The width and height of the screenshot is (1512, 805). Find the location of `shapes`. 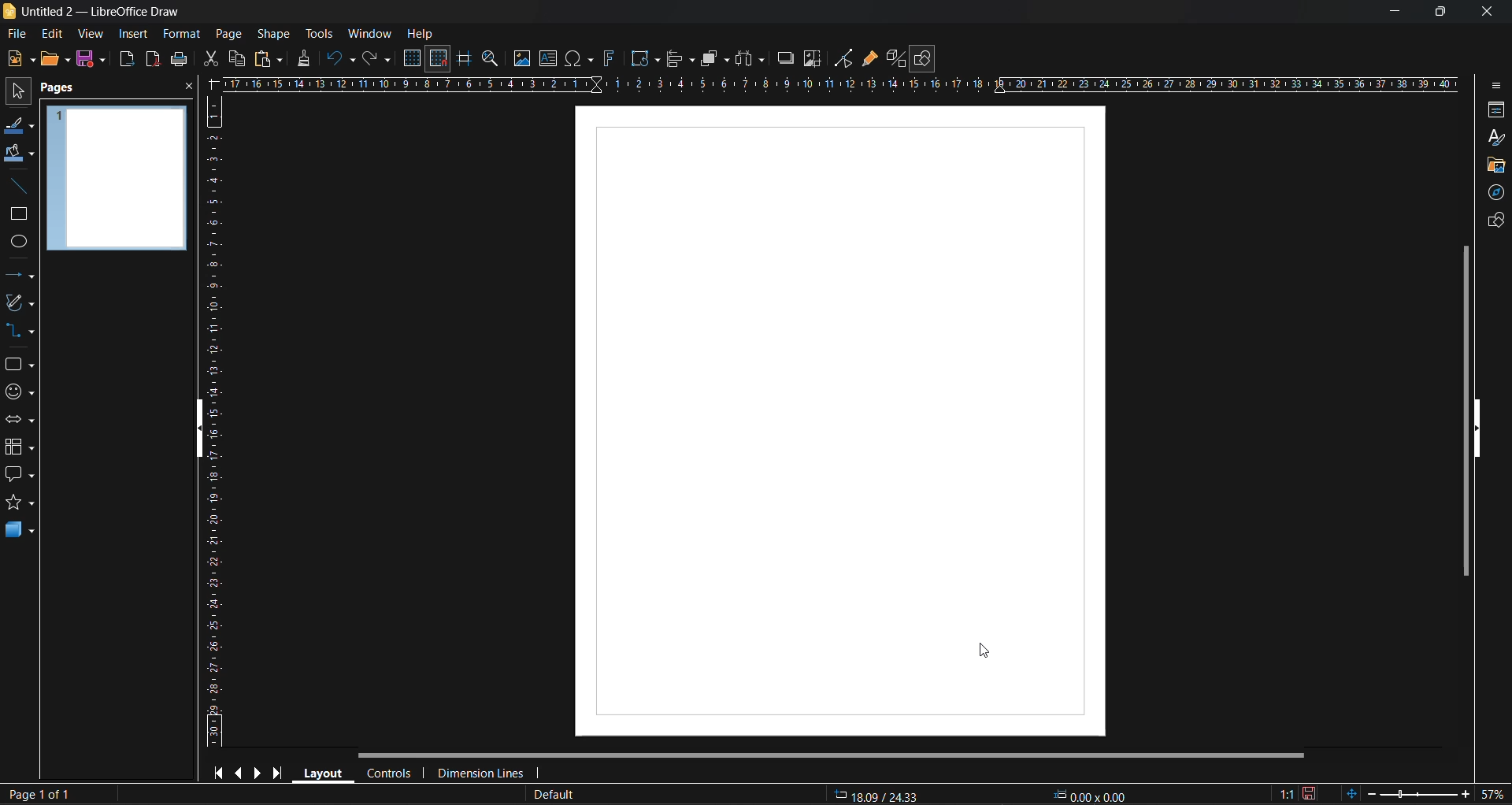

shapes is located at coordinates (1494, 222).